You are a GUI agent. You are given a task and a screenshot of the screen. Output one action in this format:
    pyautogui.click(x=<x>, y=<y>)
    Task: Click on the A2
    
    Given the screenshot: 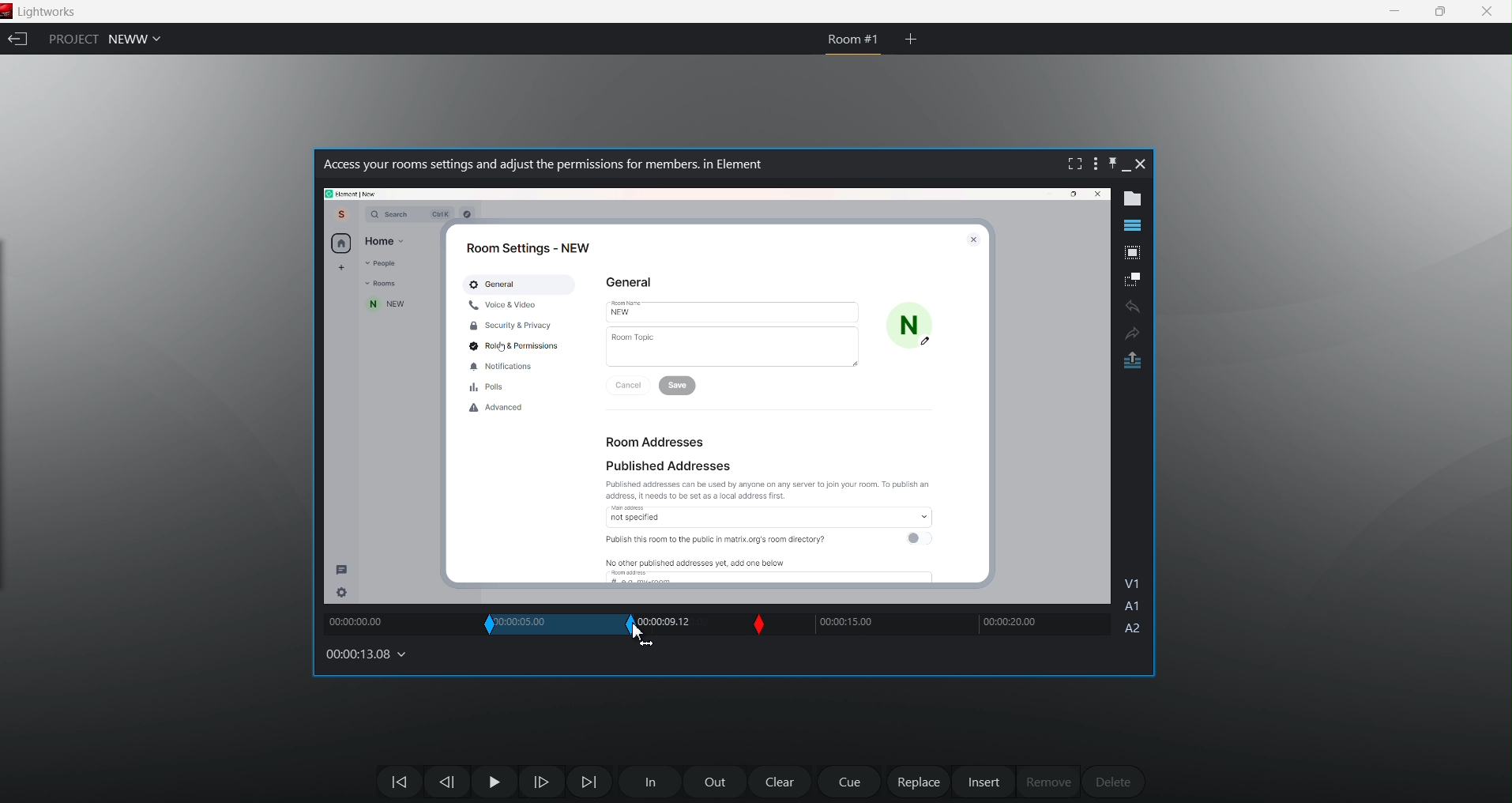 What is the action you would take?
    pyautogui.click(x=1132, y=631)
    